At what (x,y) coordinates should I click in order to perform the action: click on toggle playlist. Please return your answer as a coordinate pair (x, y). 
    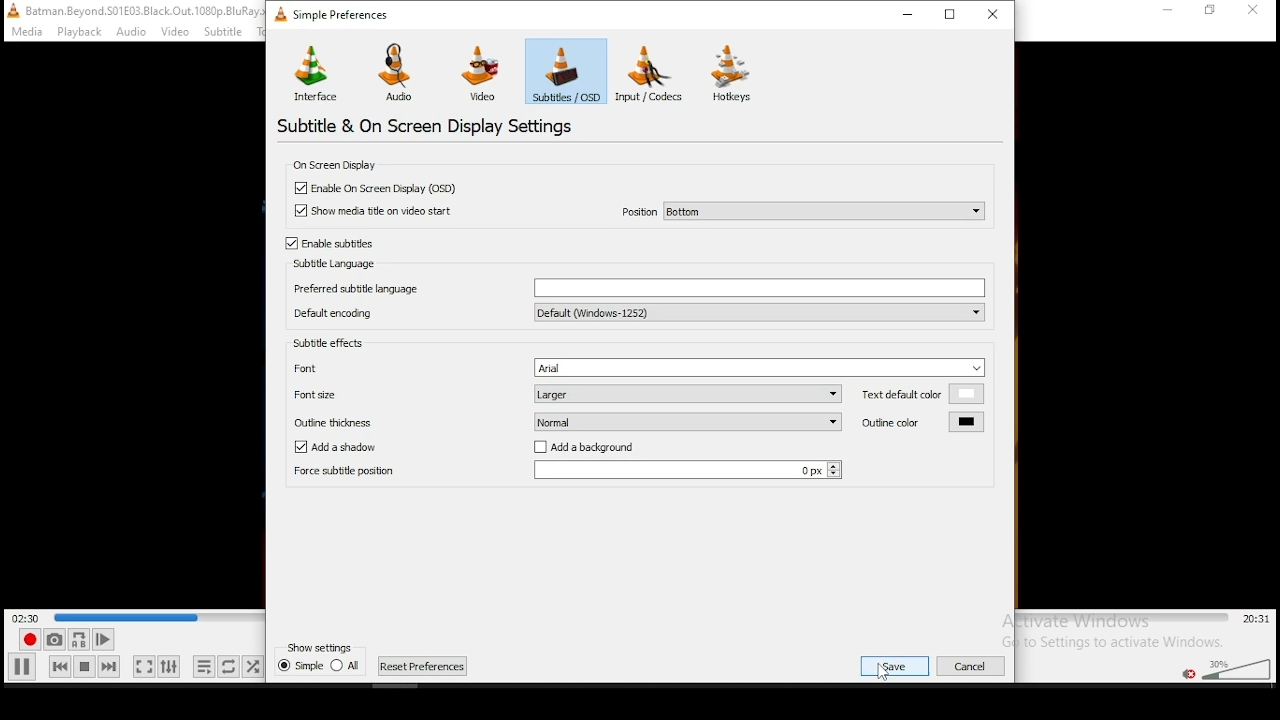
    Looking at the image, I should click on (204, 666).